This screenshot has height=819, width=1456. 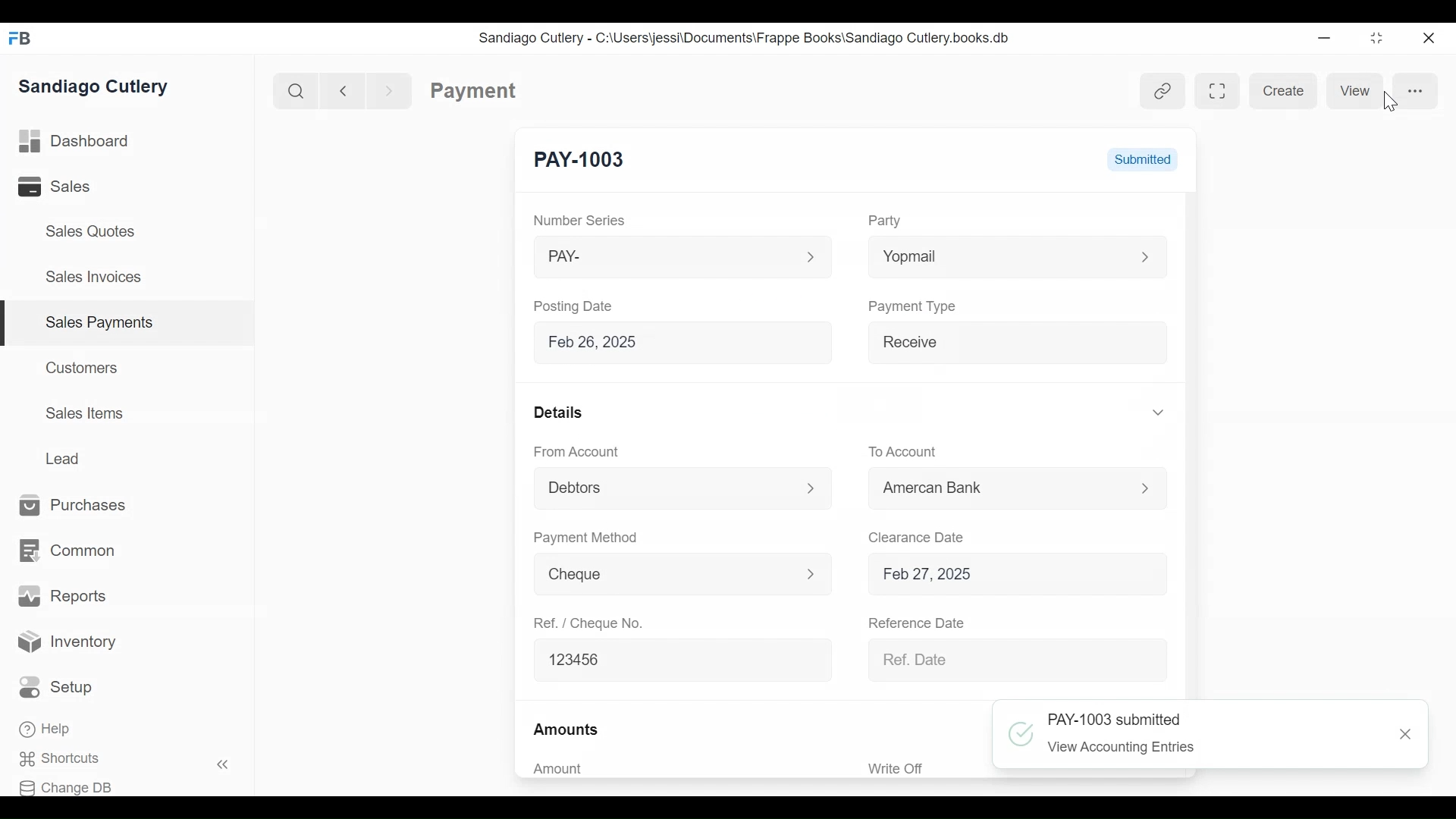 What do you see at coordinates (1324, 39) in the screenshot?
I see `Minimize` at bounding box center [1324, 39].